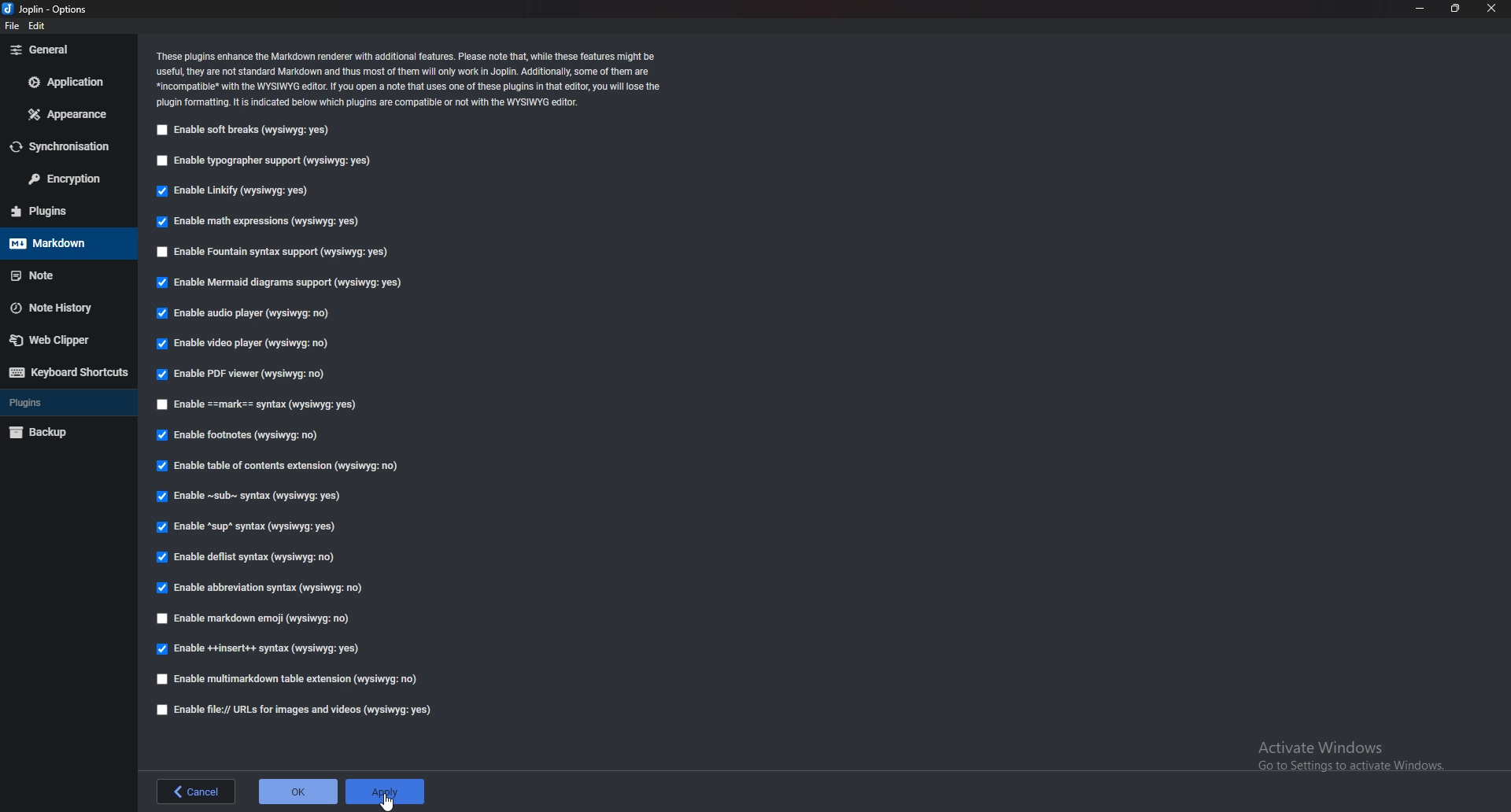  Describe the element at coordinates (242, 436) in the screenshot. I see `Enable footnotes` at that location.